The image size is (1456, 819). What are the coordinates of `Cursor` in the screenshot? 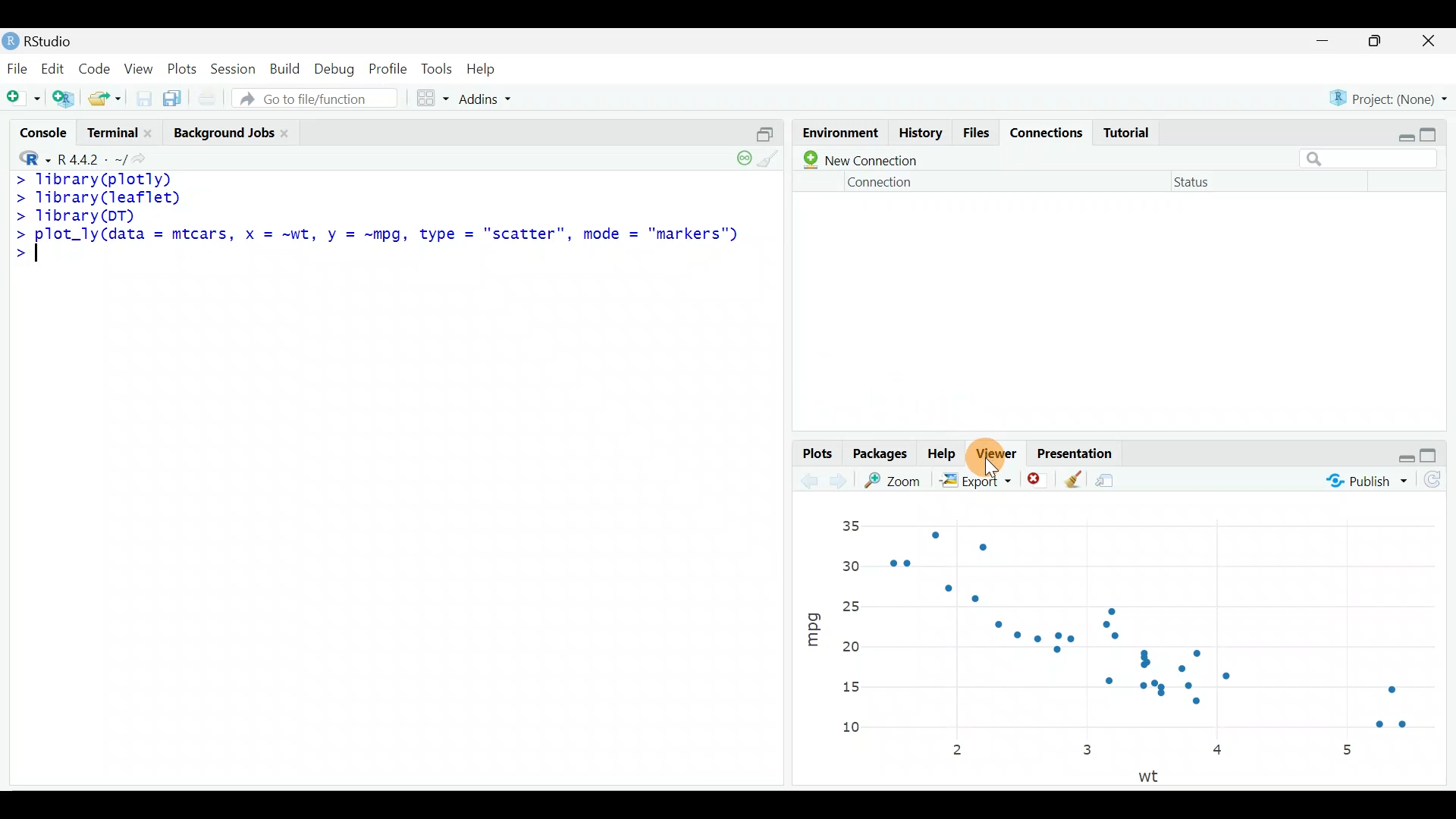 It's located at (998, 454).